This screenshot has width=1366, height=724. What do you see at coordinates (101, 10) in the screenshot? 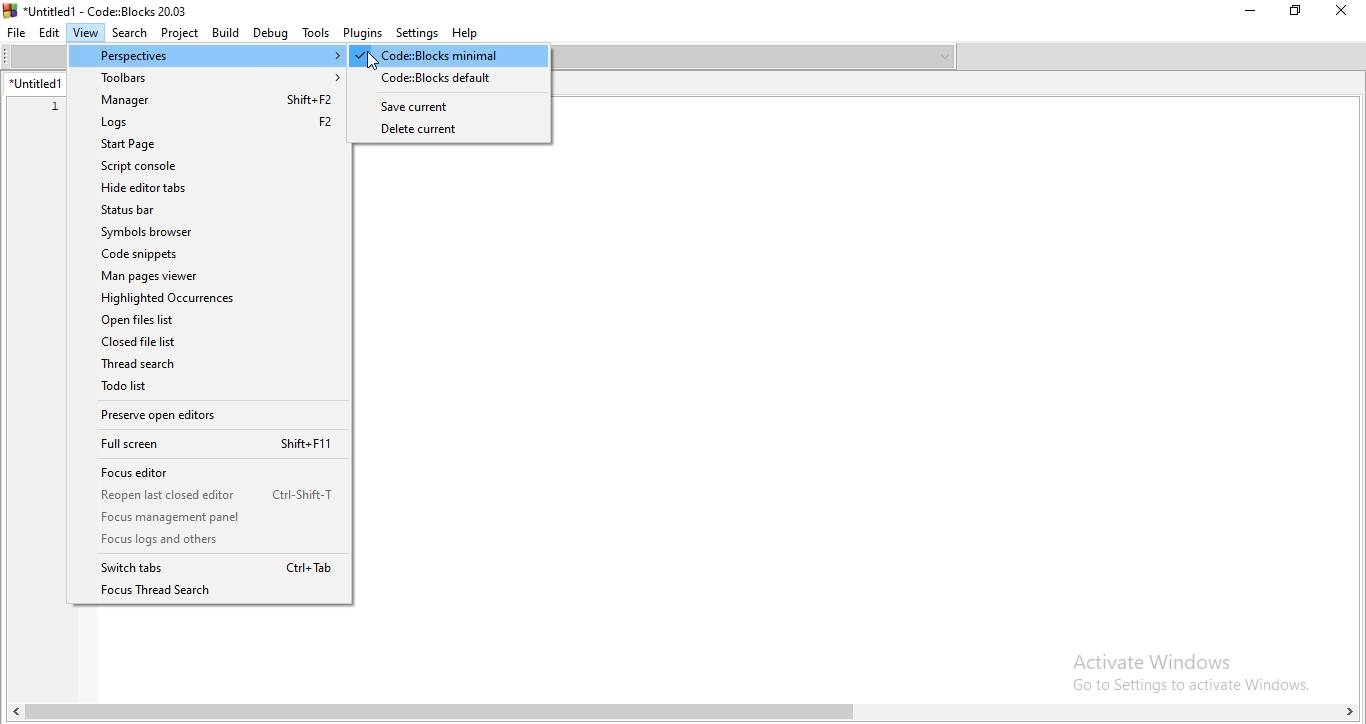
I see `*Untitled! - Code::Blocks 20.03` at bounding box center [101, 10].